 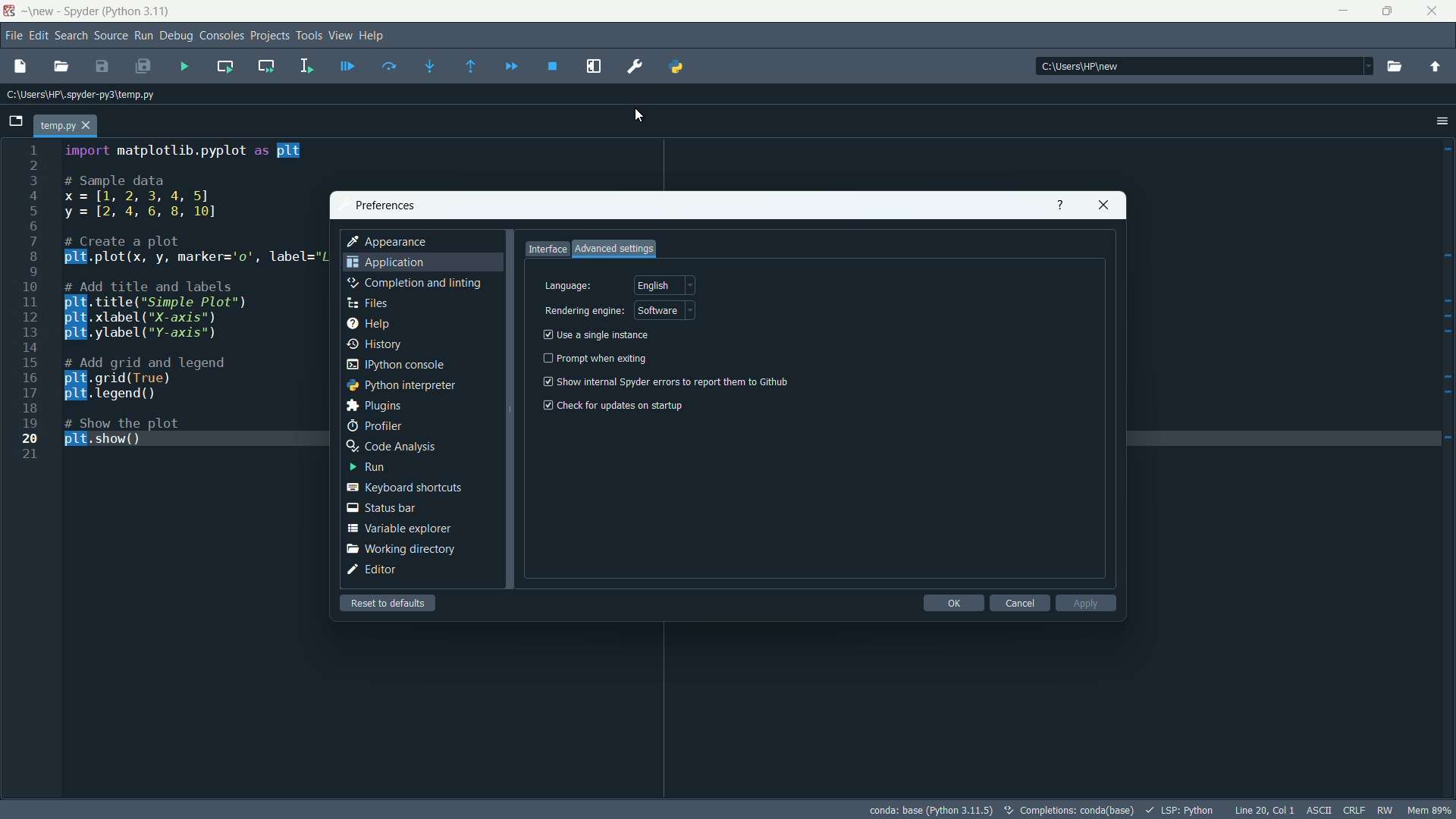 What do you see at coordinates (225, 66) in the screenshot?
I see `run current cell` at bounding box center [225, 66].